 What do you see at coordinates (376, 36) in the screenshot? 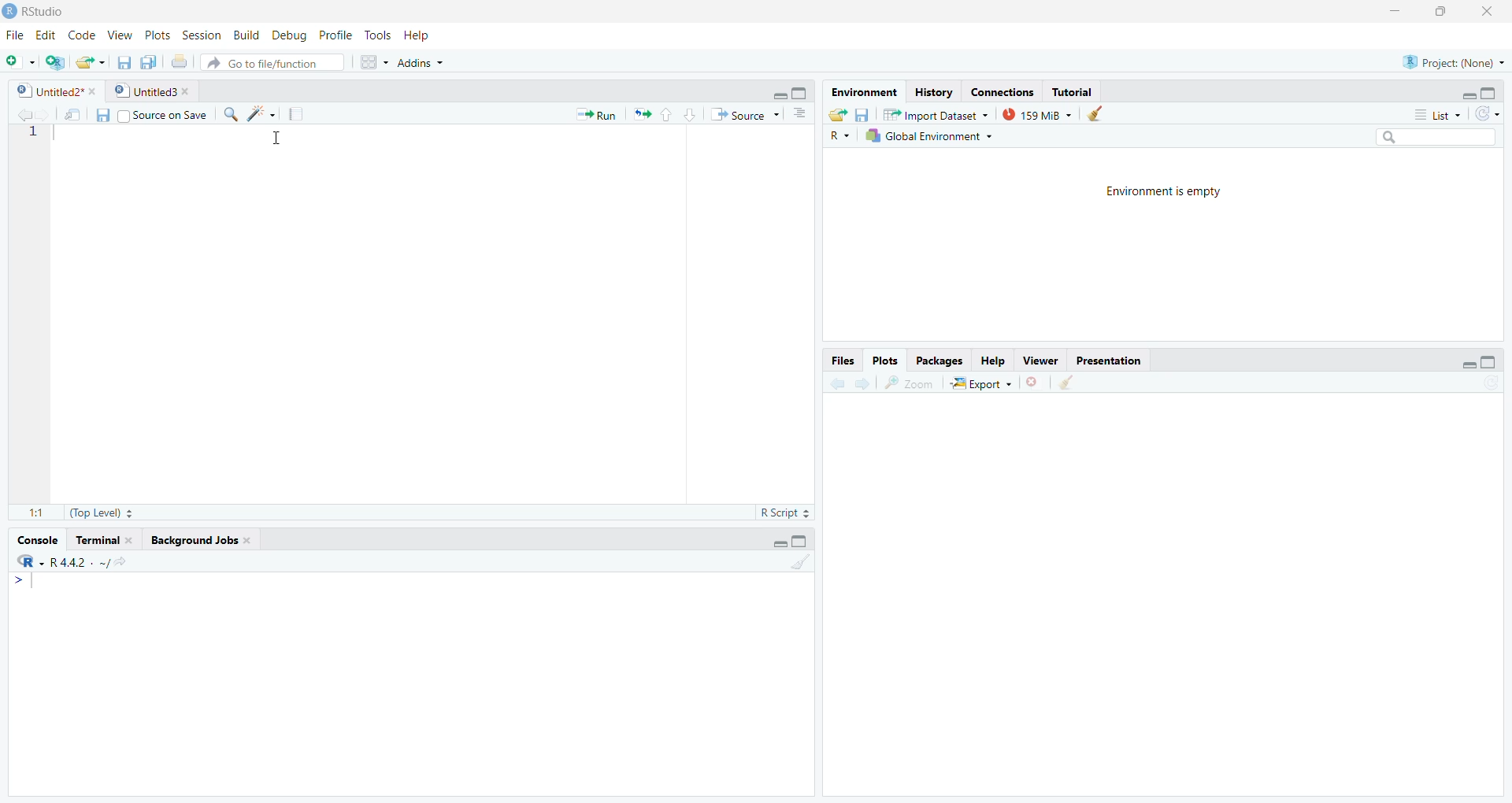
I see `Tools` at bounding box center [376, 36].